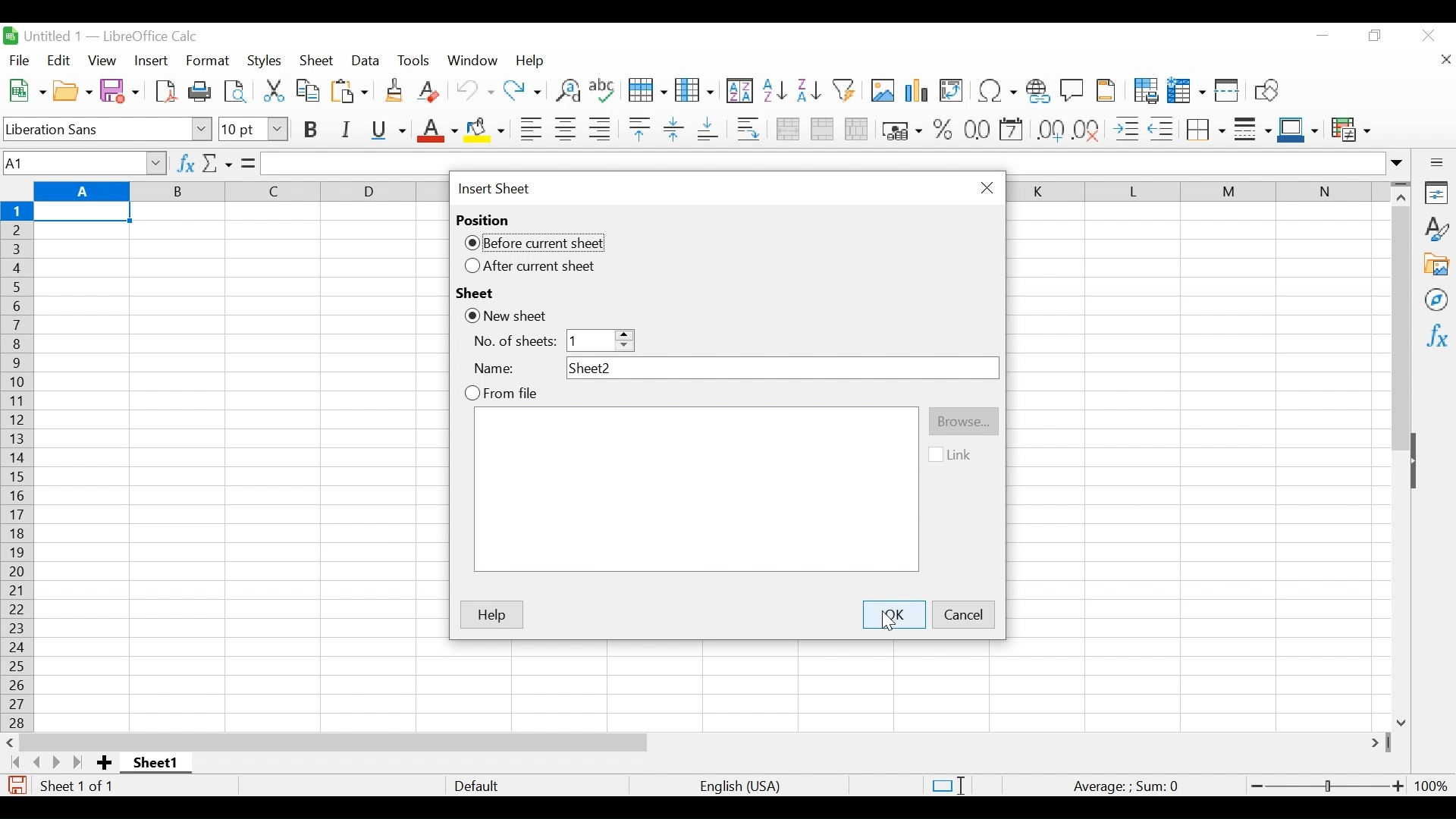  I want to click on Data, so click(366, 61).